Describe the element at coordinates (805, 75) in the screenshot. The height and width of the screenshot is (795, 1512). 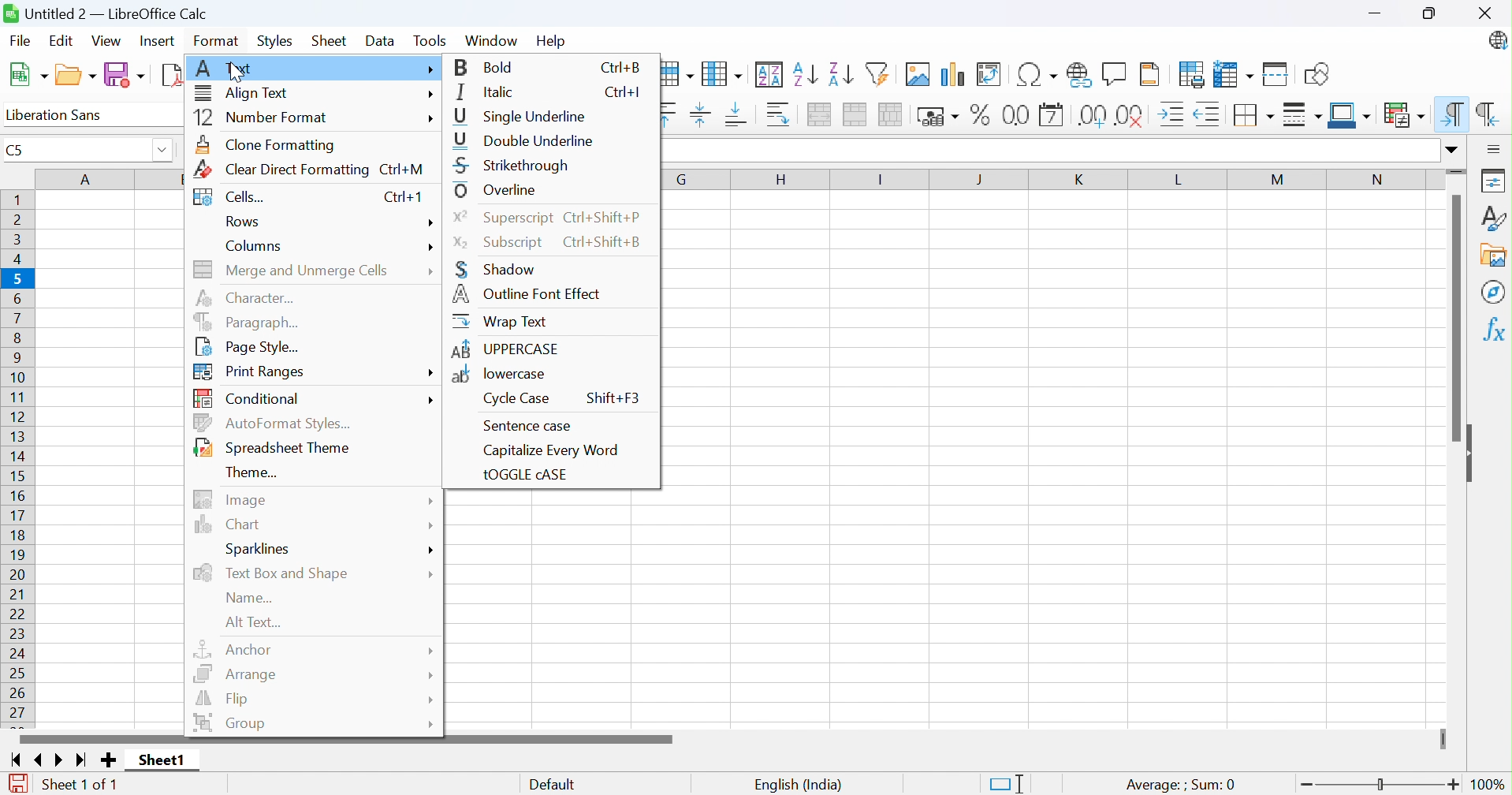
I see `Sort ascending` at that location.